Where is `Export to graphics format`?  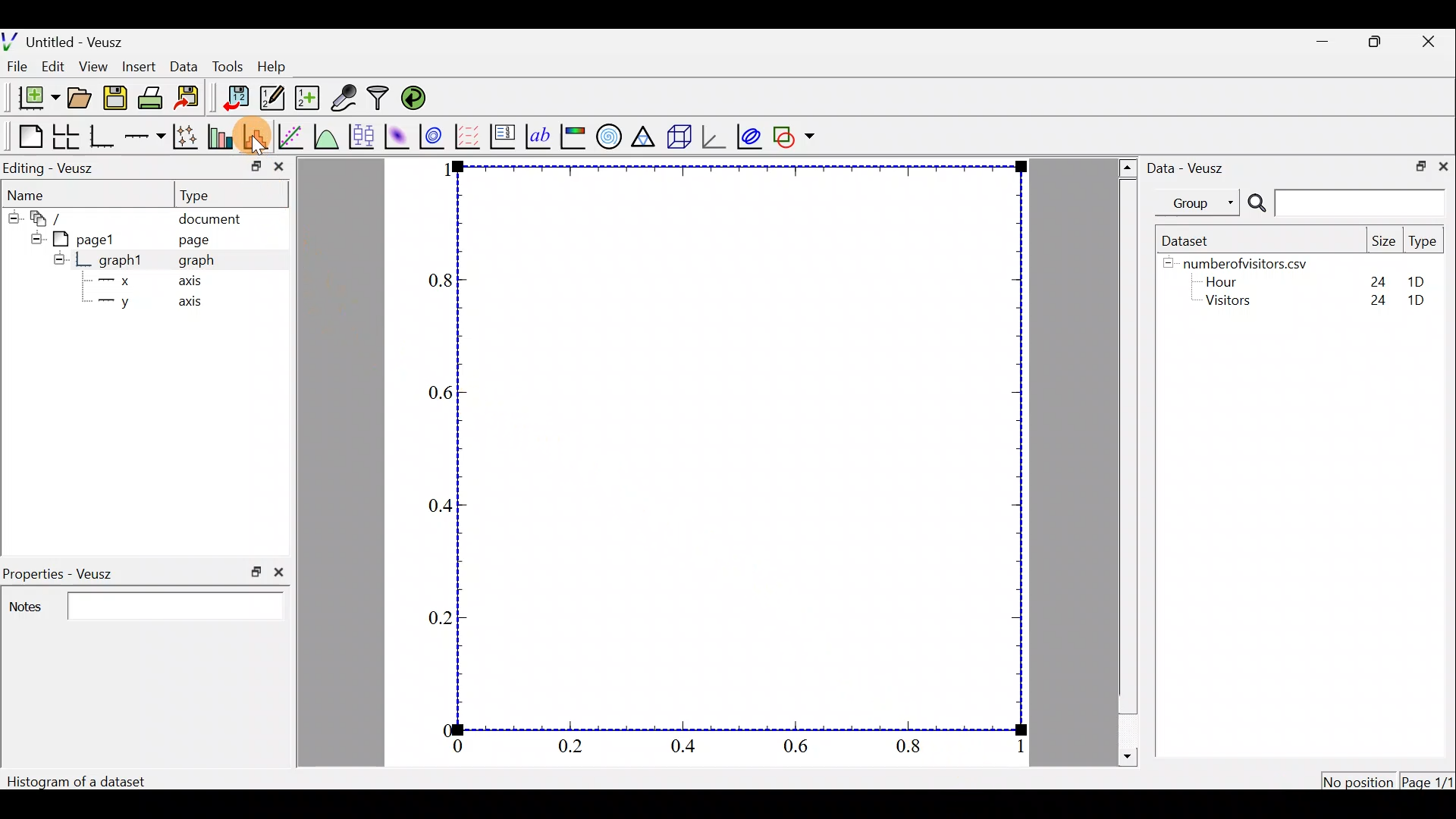
Export to graphics format is located at coordinates (193, 99).